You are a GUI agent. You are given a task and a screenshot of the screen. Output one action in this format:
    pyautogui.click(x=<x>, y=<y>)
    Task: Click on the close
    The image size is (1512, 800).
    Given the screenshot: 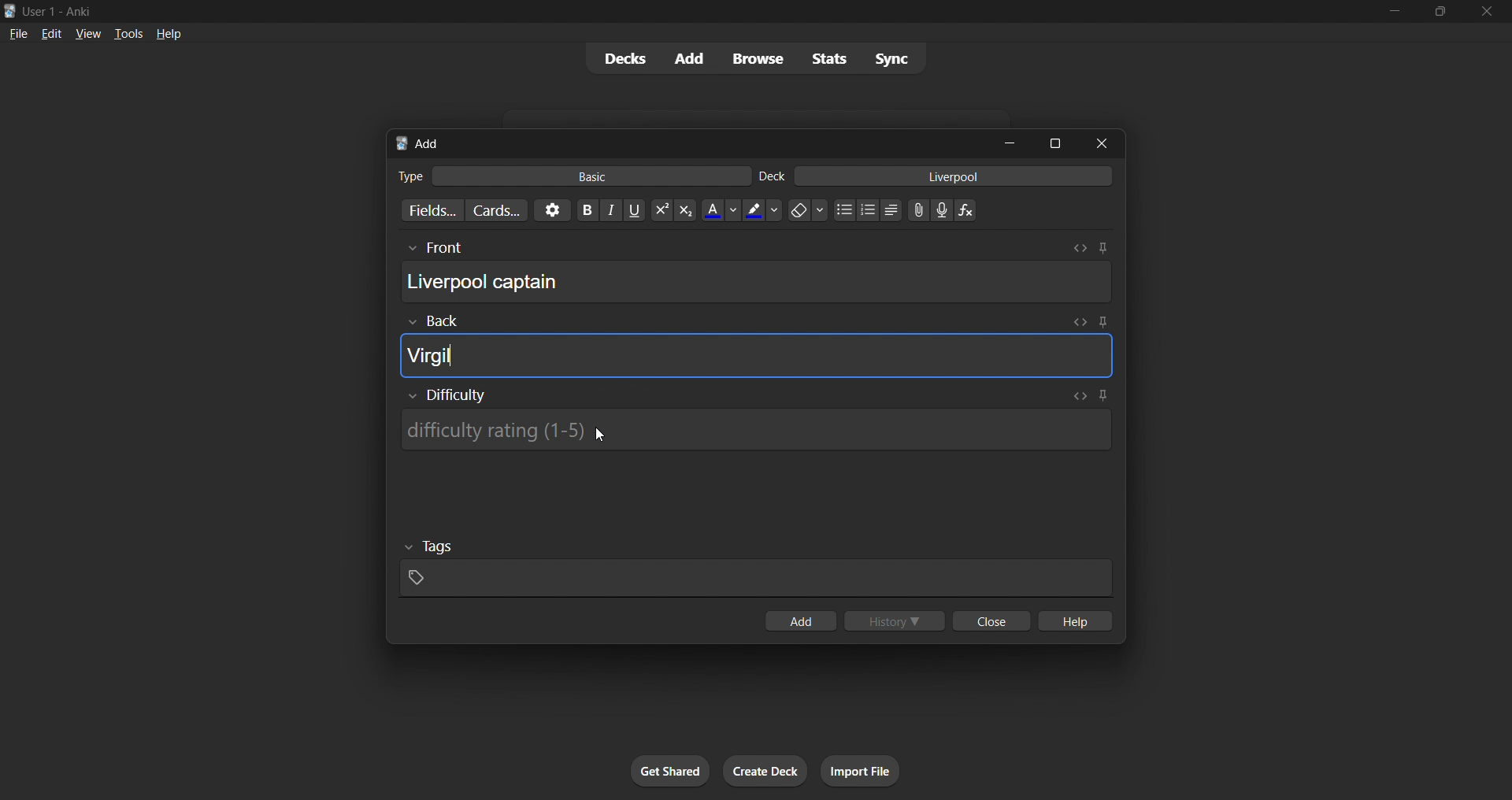 What is the action you would take?
    pyautogui.click(x=1487, y=12)
    